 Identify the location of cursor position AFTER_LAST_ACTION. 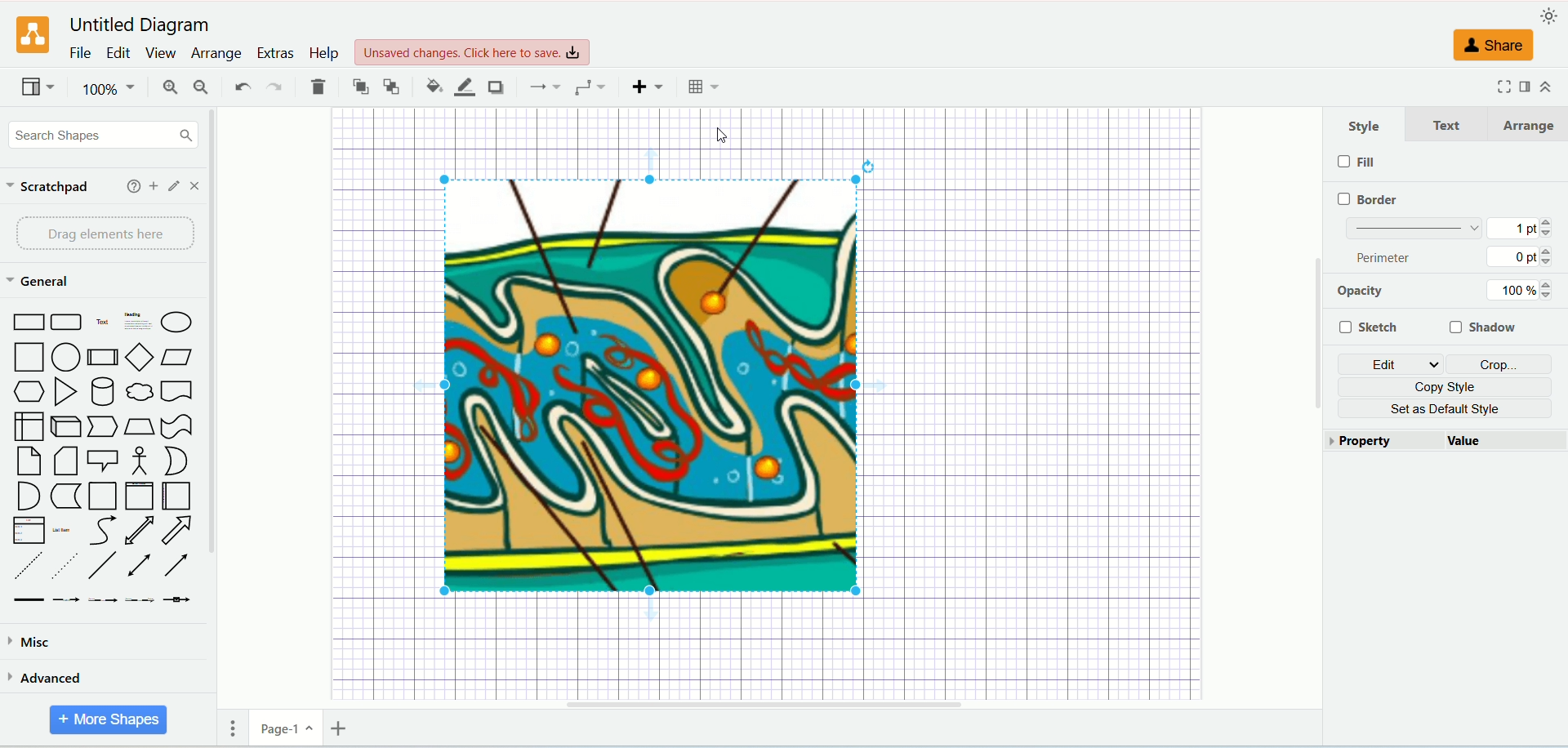
(723, 135).